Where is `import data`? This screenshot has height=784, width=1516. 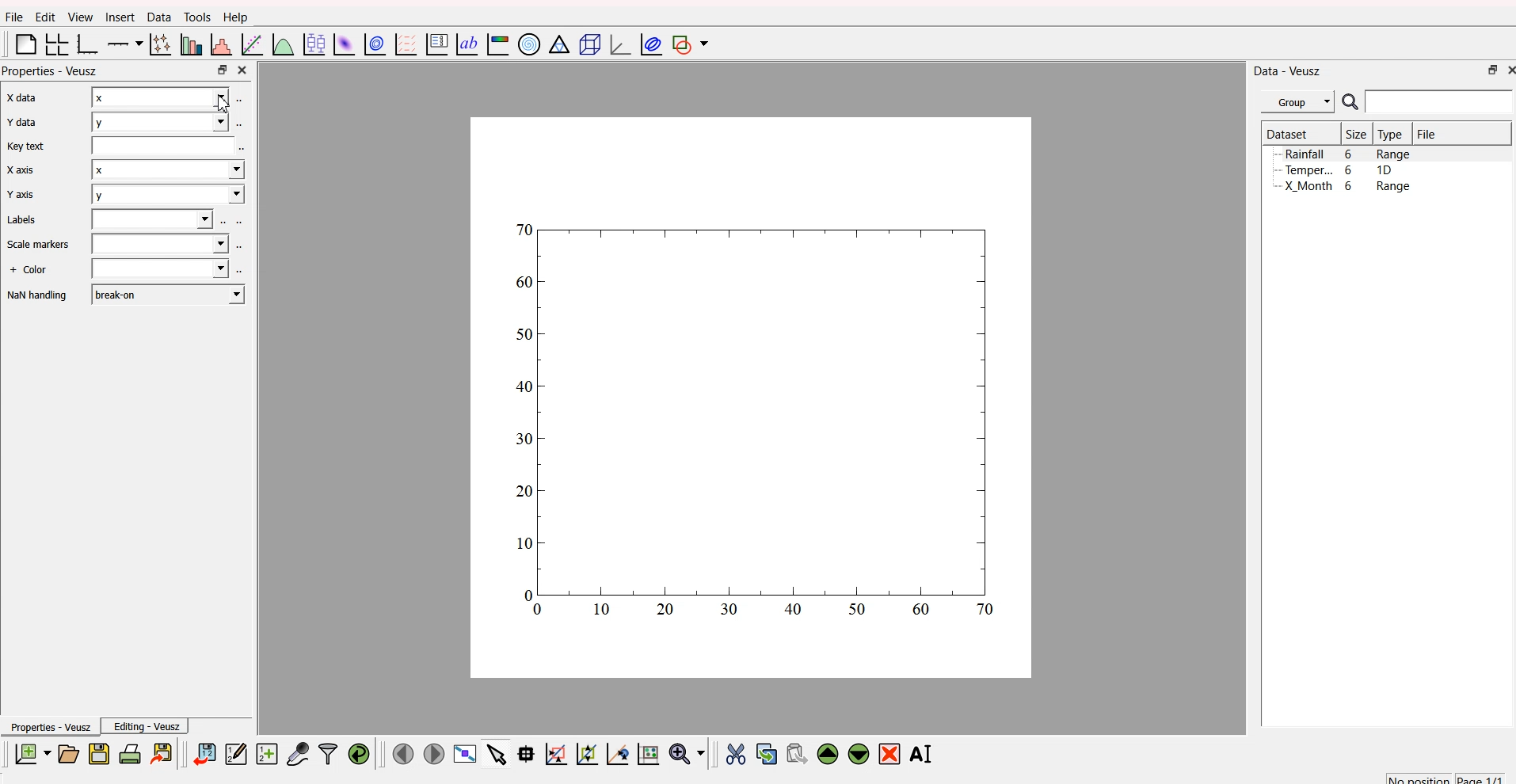
import data is located at coordinates (206, 755).